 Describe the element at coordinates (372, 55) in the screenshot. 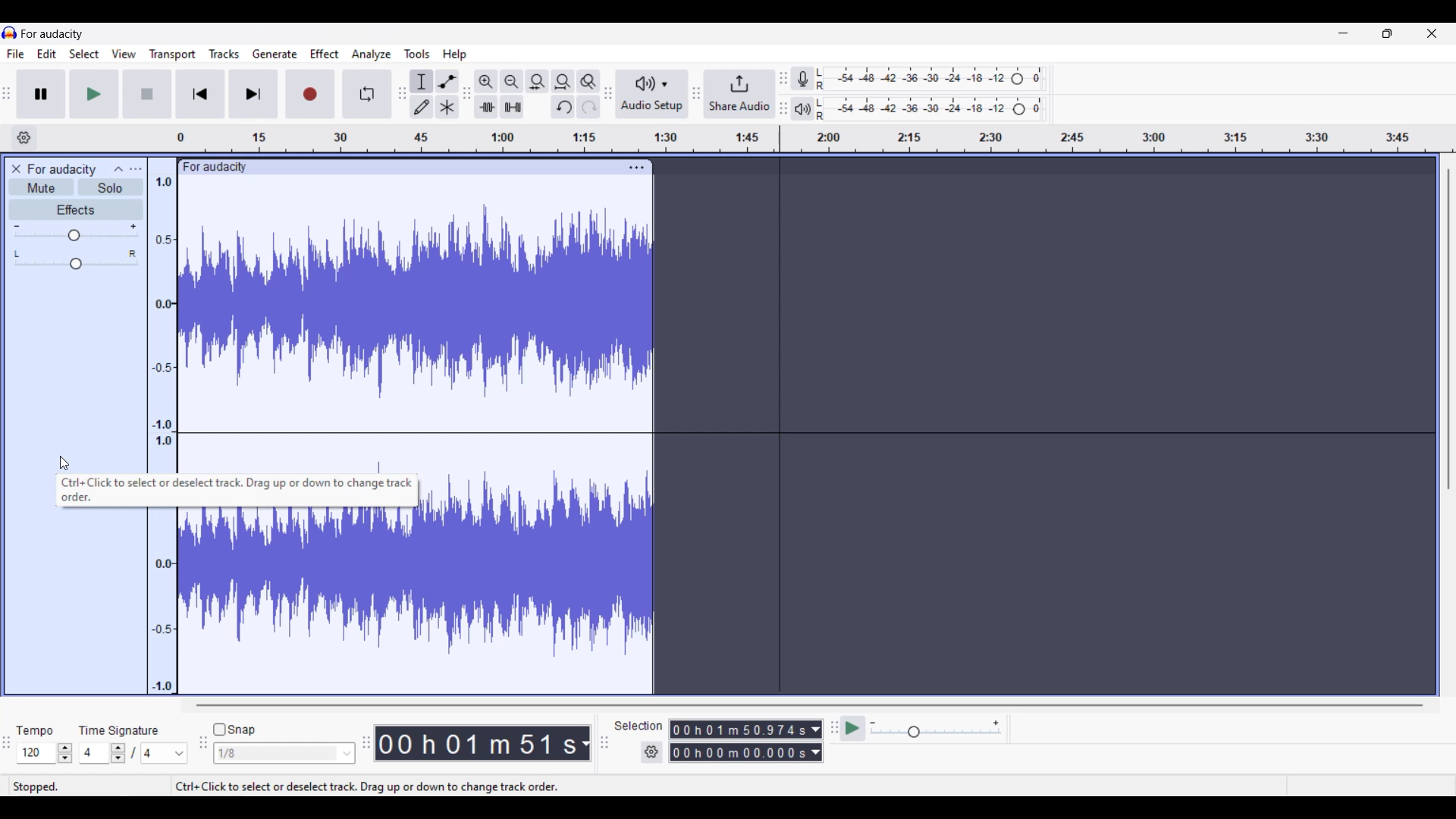

I see `Analyze menu` at that location.